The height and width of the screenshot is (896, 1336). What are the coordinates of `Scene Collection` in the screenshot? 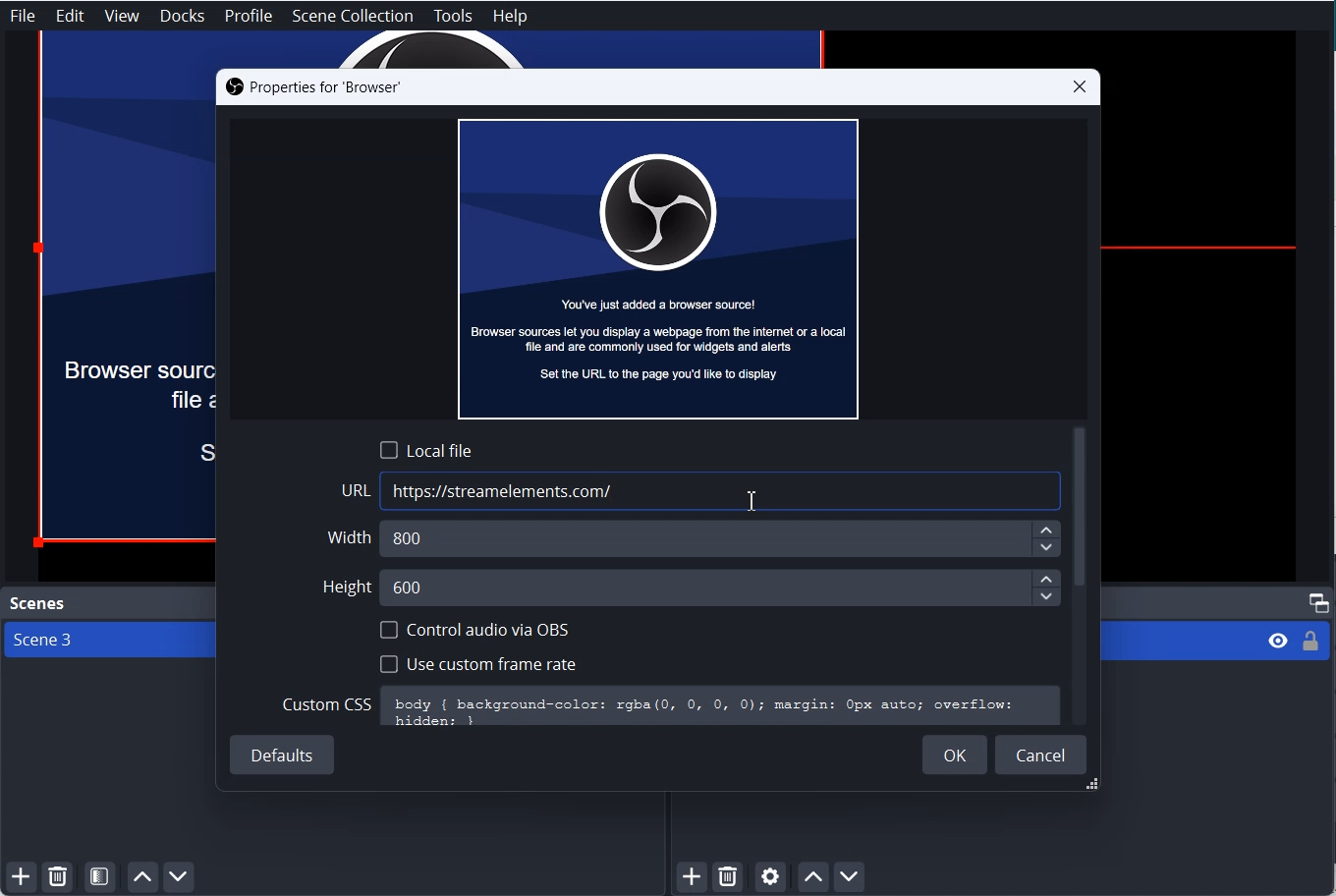 It's located at (354, 16).